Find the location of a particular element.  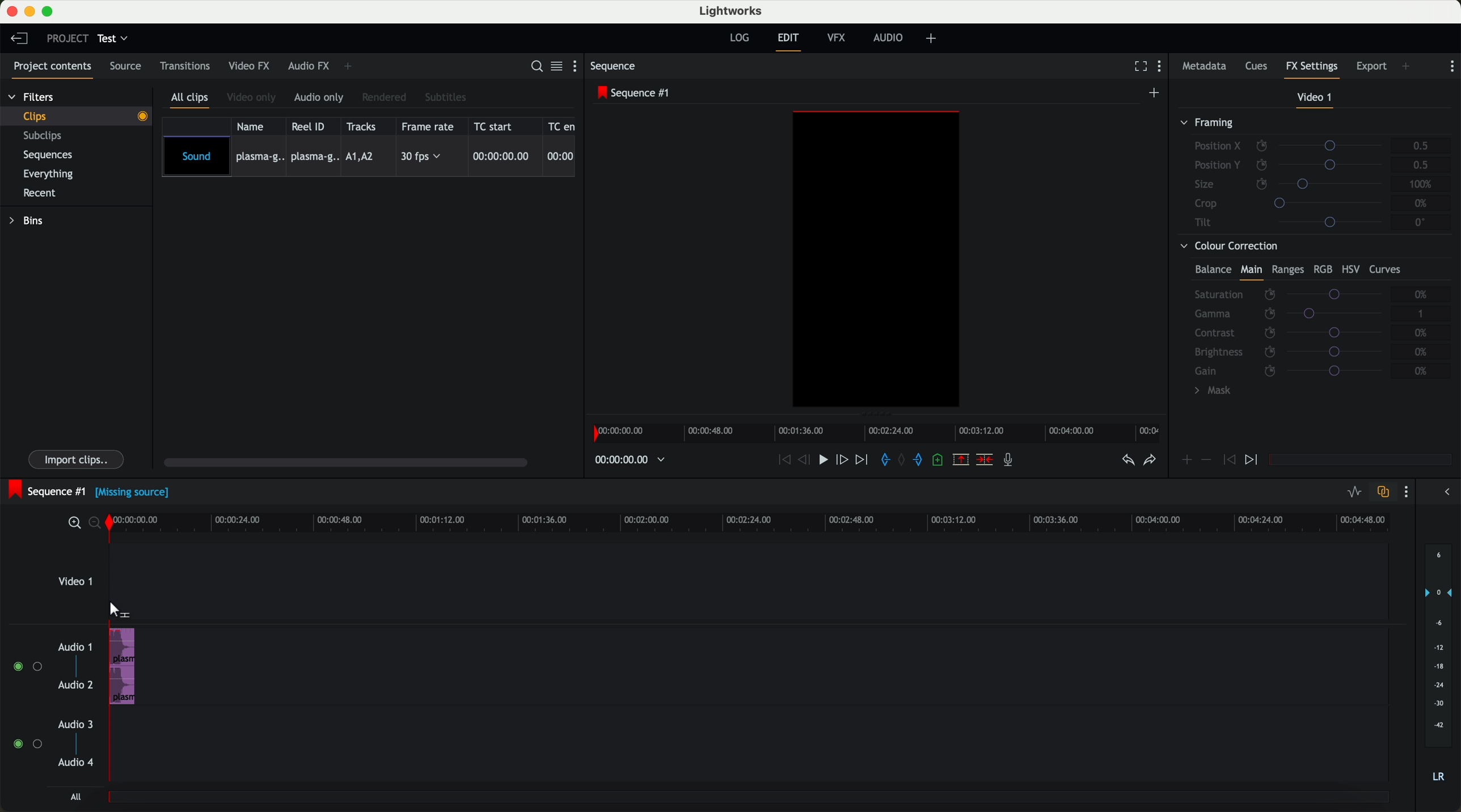

zoom in is located at coordinates (74, 523).